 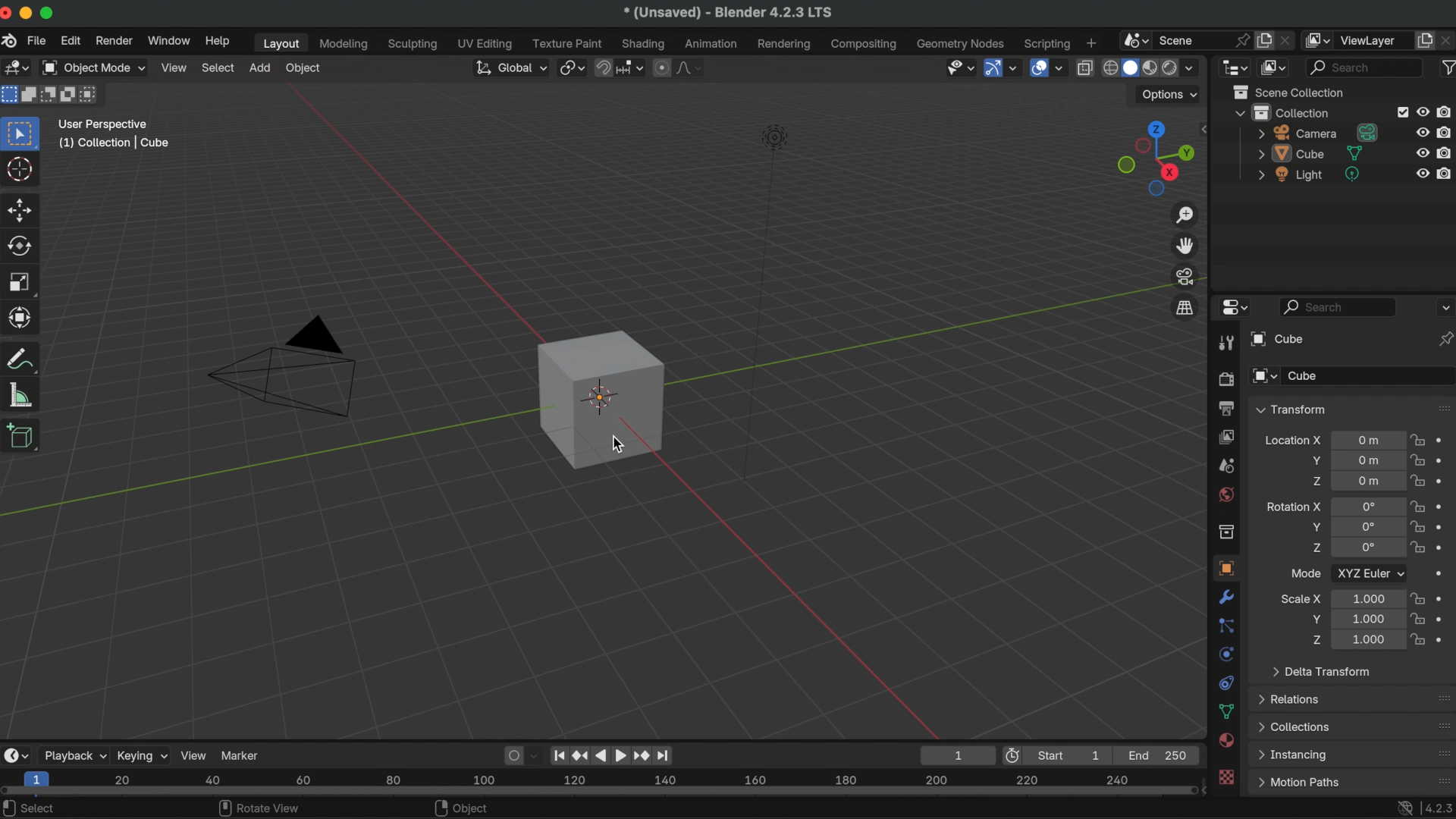 I want to click on Scale location, so click(x=1367, y=598).